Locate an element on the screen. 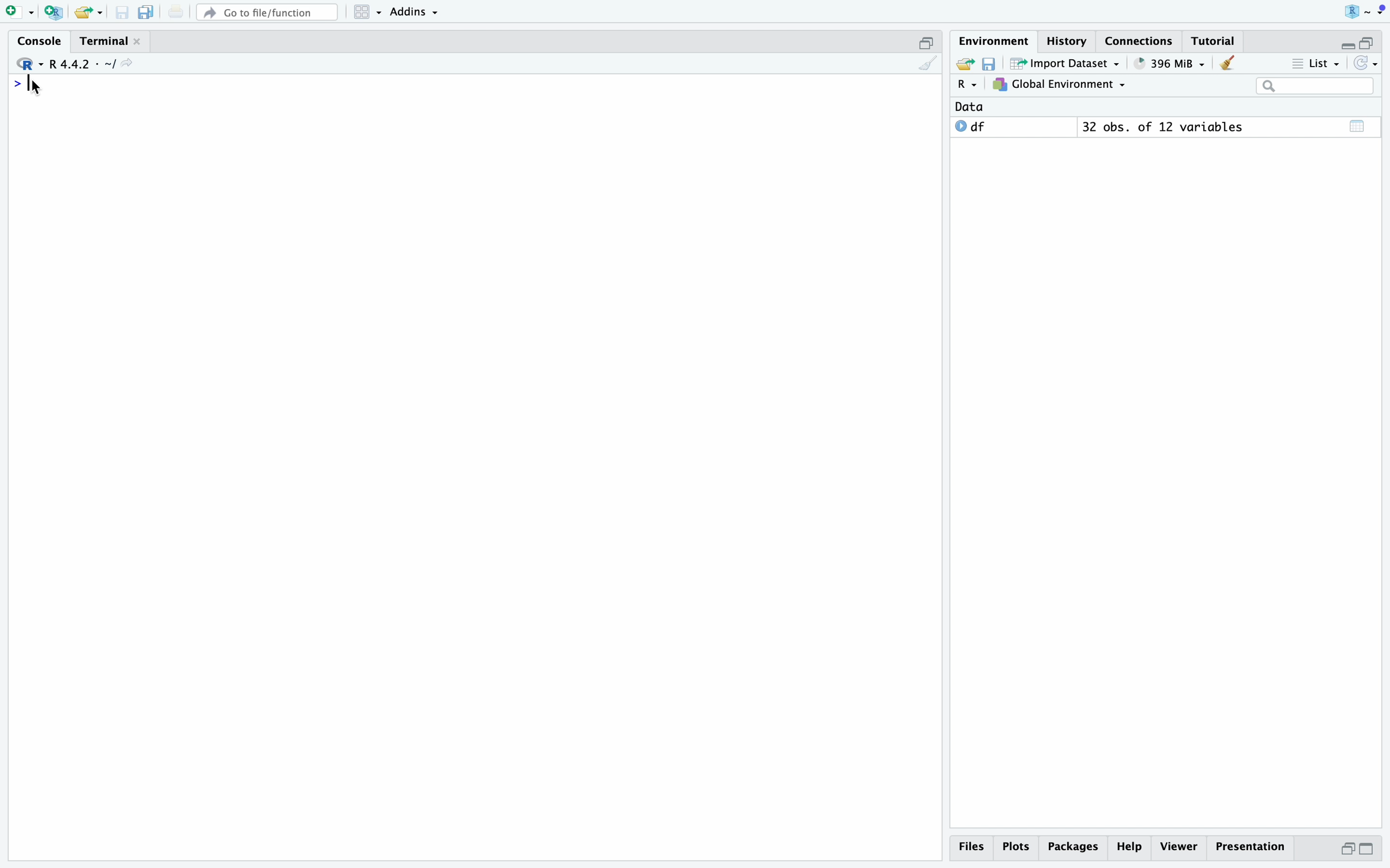  share icon is located at coordinates (128, 63).